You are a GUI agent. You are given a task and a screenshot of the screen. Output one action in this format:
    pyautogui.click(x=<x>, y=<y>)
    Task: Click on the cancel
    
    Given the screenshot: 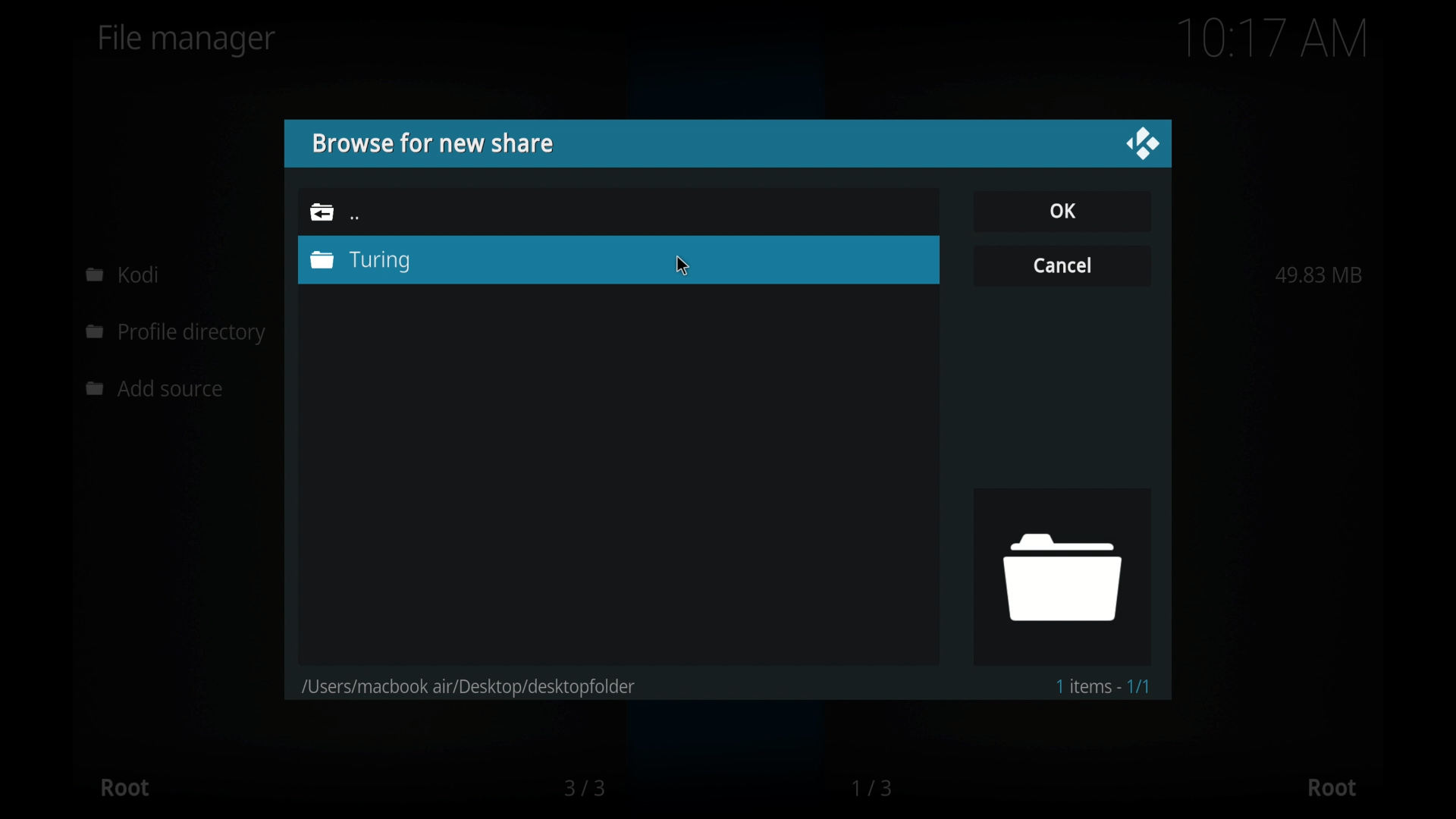 What is the action you would take?
    pyautogui.click(x=1062, y=264)
    